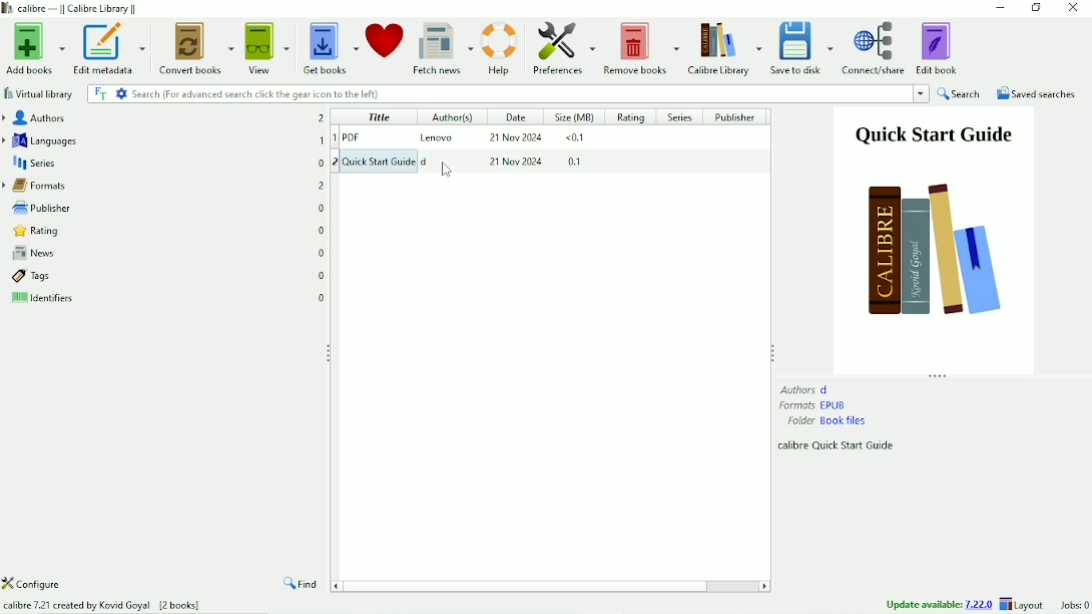 Image resolution: width=1092 pixels, height=614 pixels. What do you see at coordinates (1072, 605) in the screenshot?
I see `Jobs` at bounding box center [1072, 605].